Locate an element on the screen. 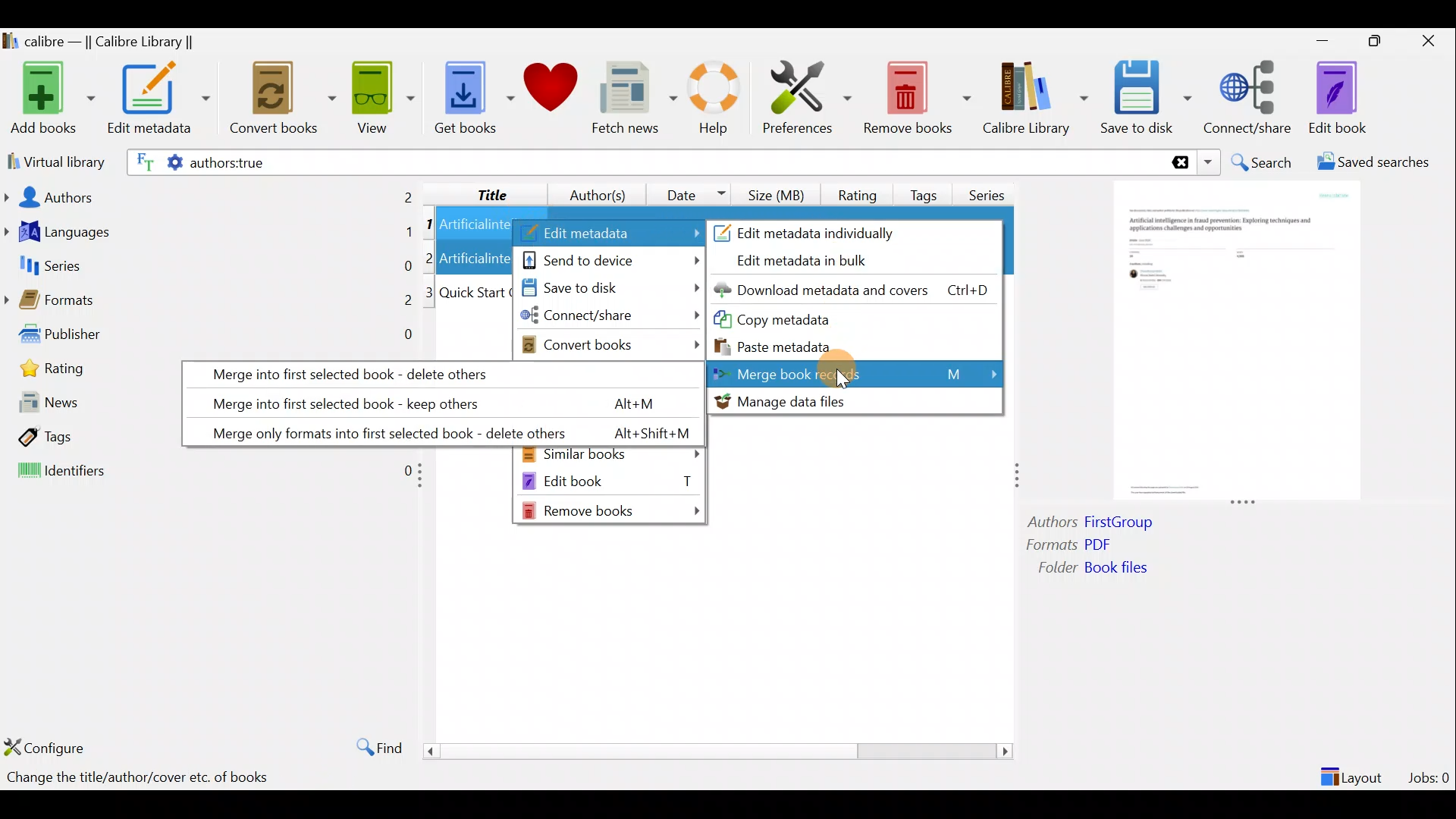  Get books is located at coordinates (472, 96).